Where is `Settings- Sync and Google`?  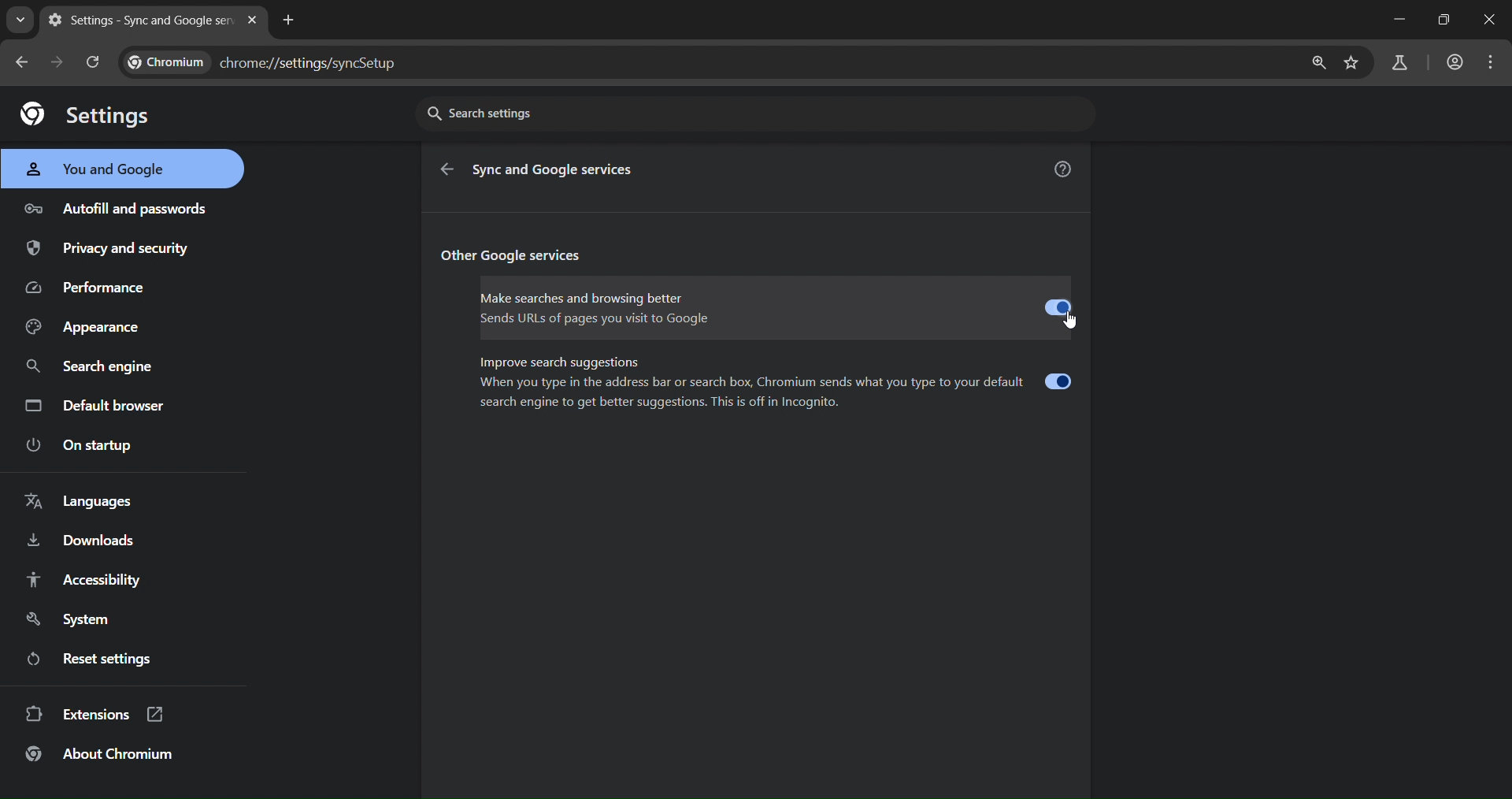
Settings- Sync and Google is located at coordinates (139, 22).